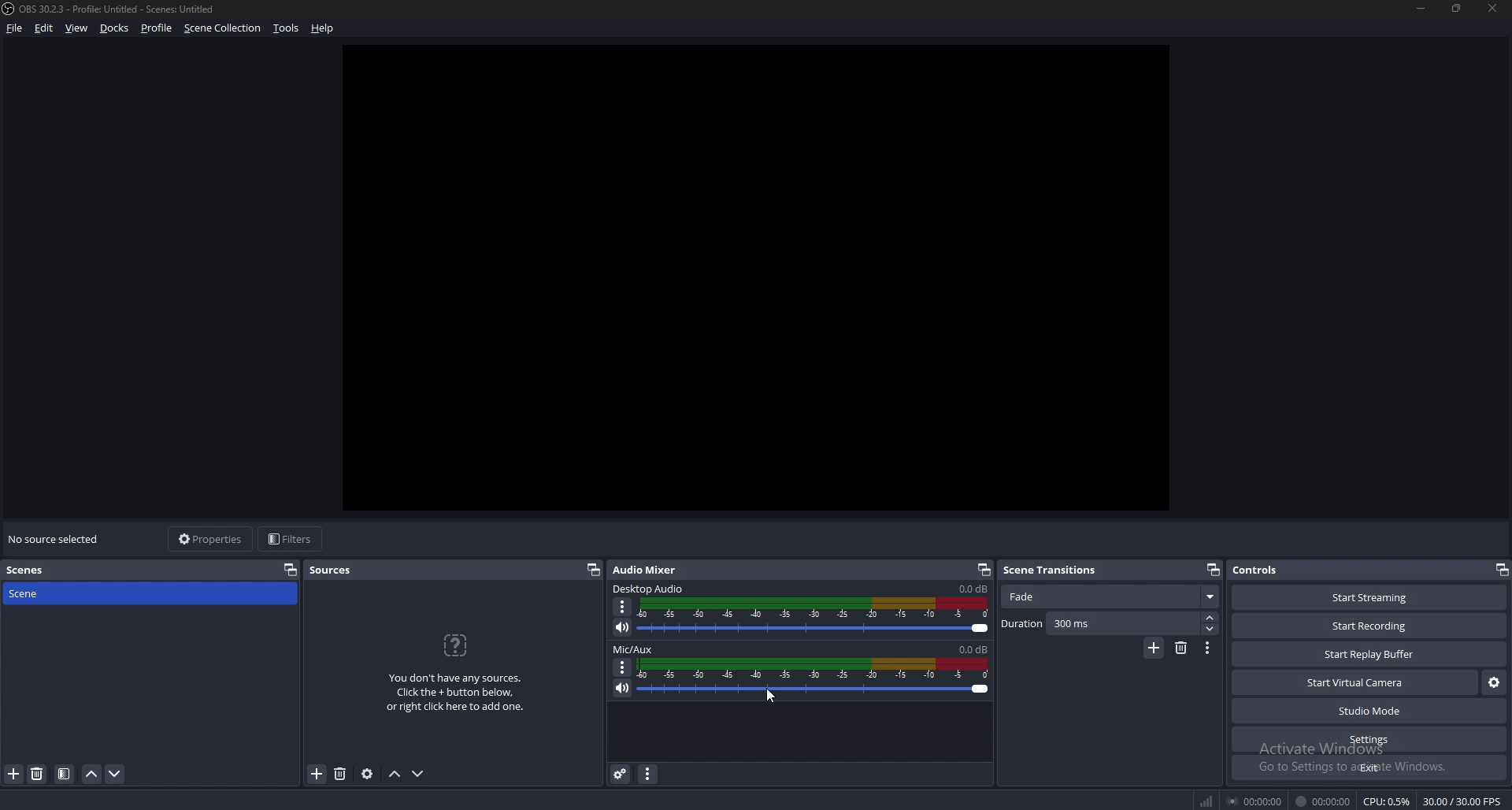 Image resolution: width=1512 pixels, height=810 pixels. Describe the element at coordinates (1499, 570) in the screenshot. I see `pop out` at that location.